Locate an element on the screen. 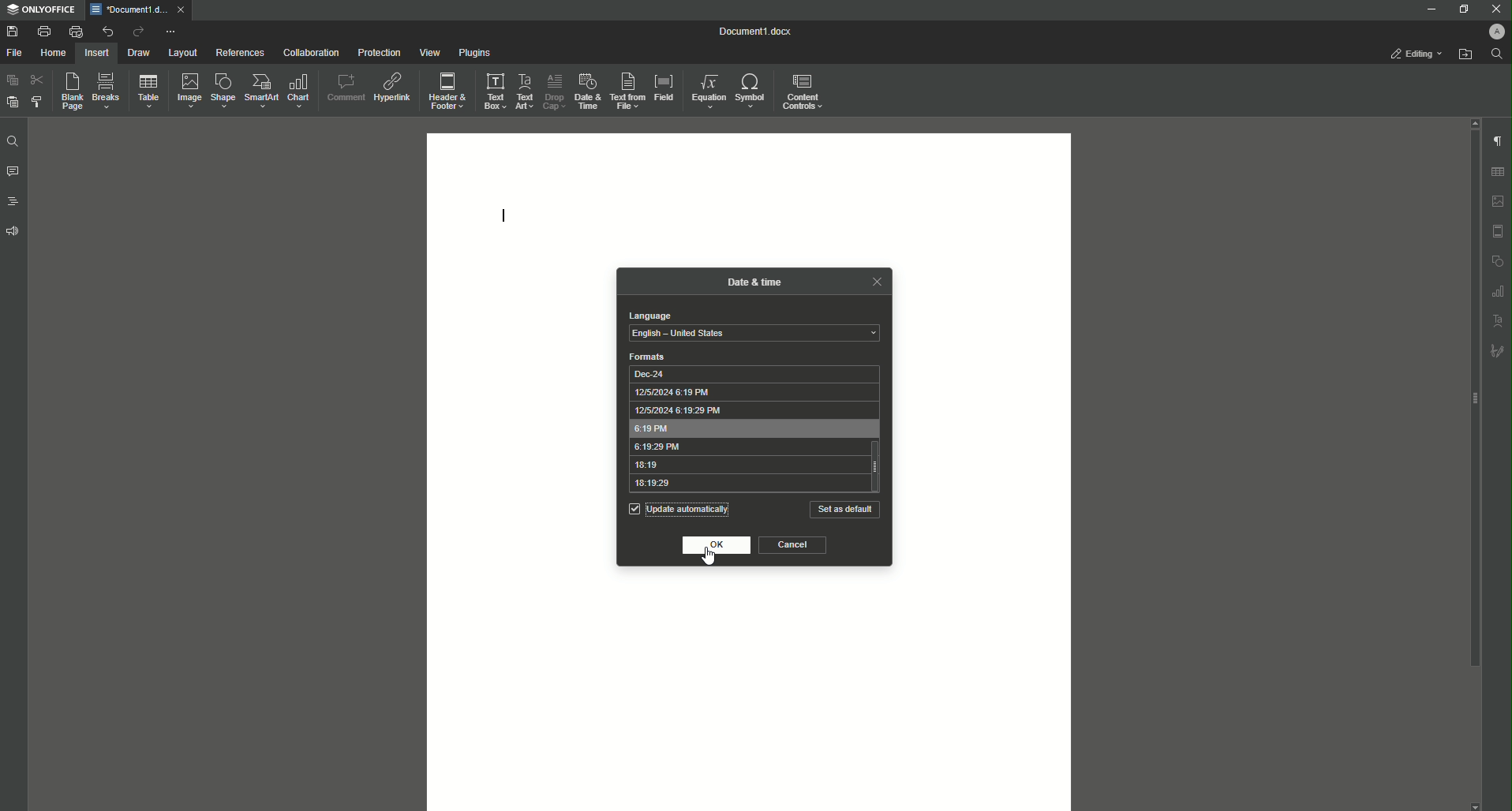 This screenshot has height=811, width=1512. Breaks is located at coordinates (106, 92).